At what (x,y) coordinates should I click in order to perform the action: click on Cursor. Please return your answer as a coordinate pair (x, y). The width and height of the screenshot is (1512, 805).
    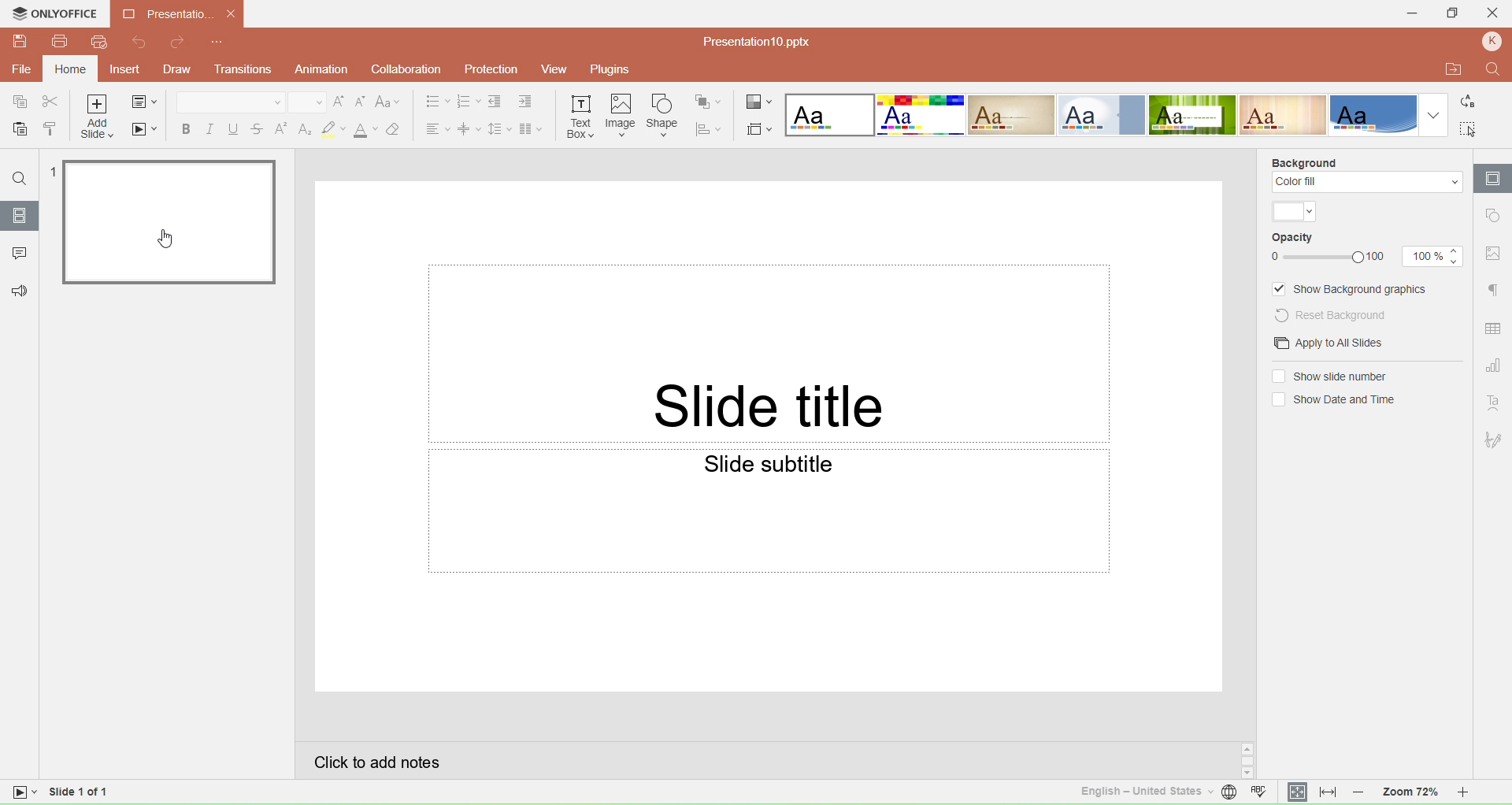
    Looking at the image, I should click on (165, 238).